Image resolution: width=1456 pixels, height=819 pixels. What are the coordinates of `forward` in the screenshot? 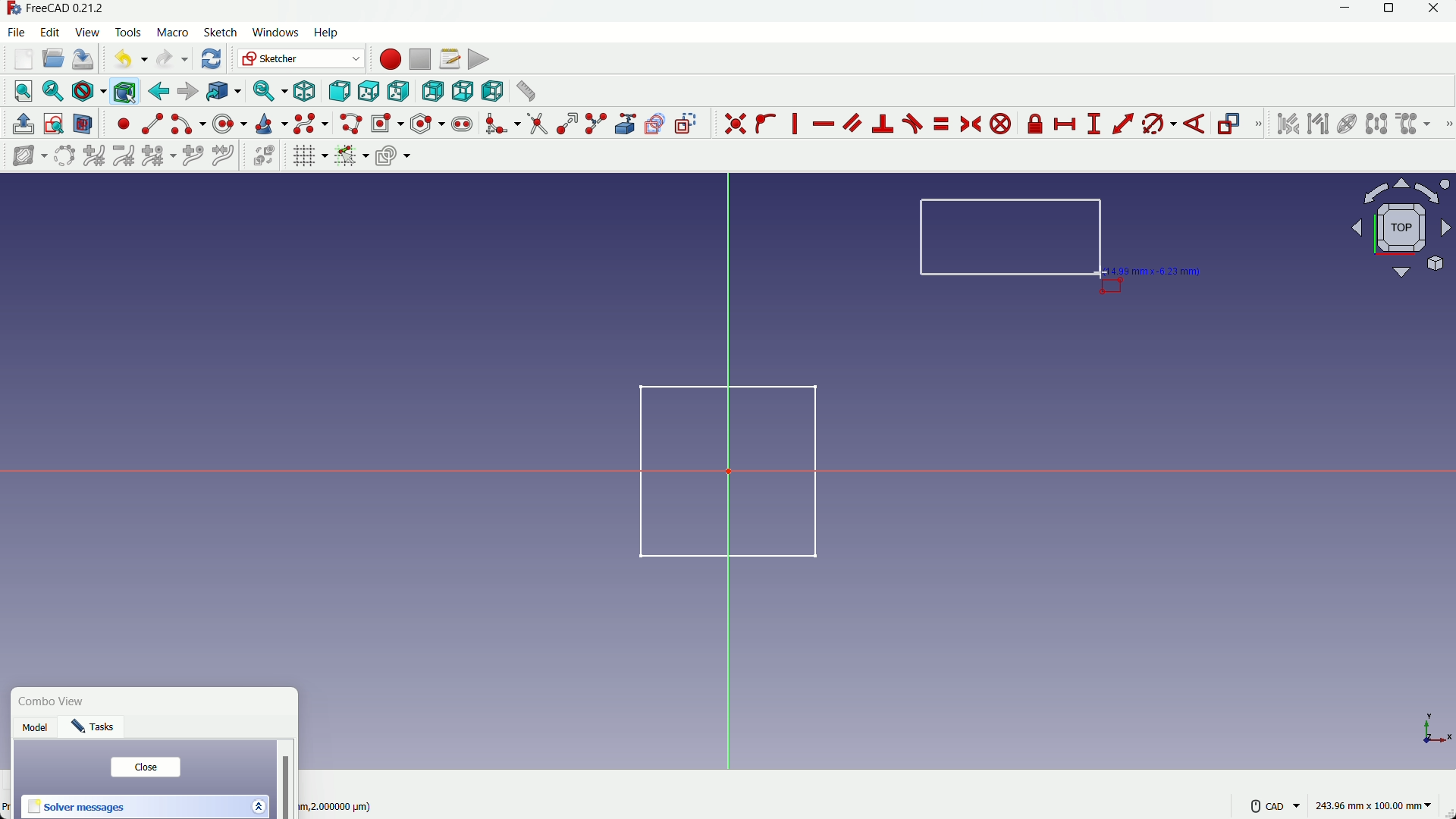 It's located at (187, 92).